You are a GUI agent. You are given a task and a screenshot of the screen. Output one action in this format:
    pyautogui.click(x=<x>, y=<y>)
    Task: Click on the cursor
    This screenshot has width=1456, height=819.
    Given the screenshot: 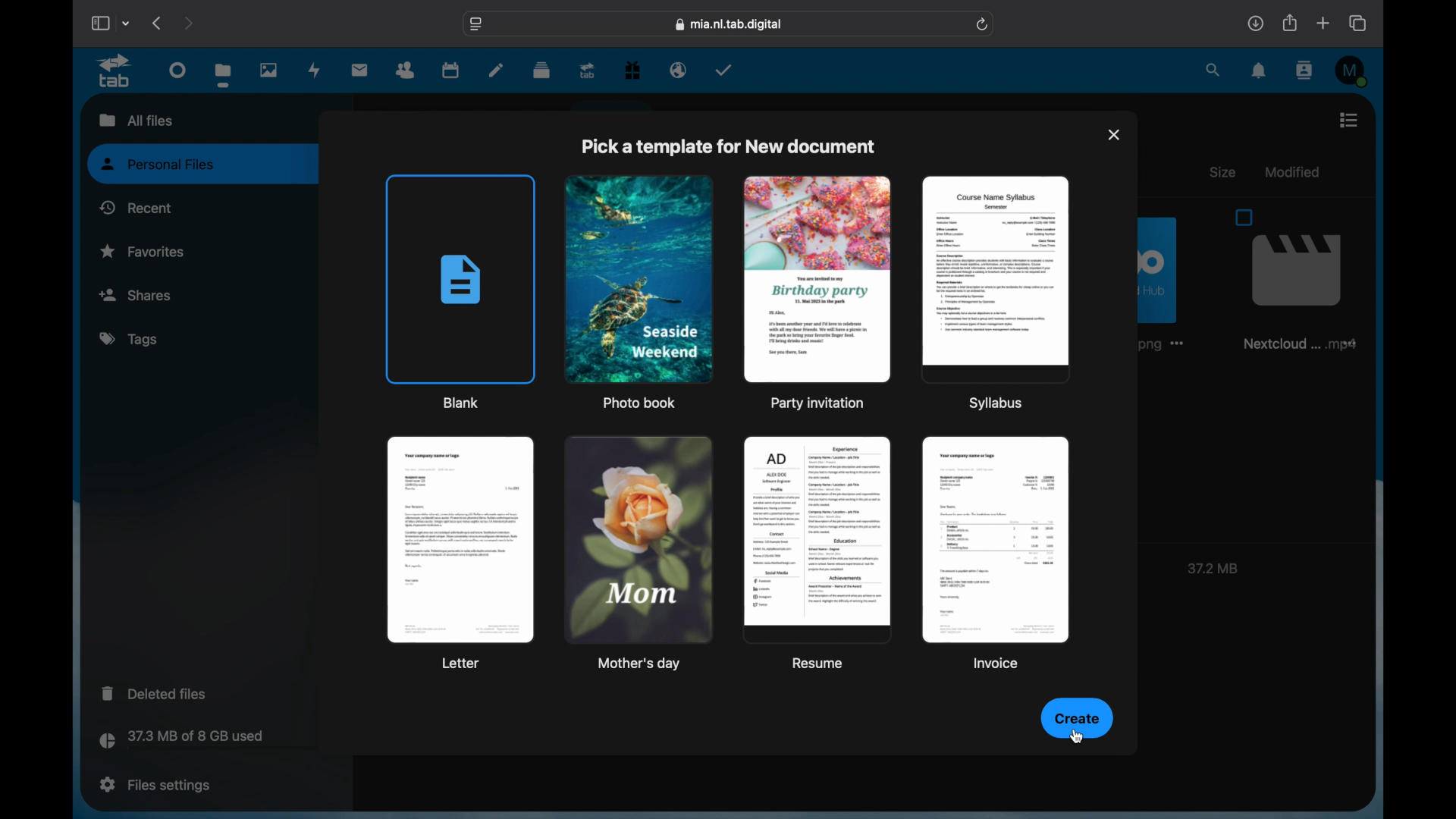 What is the action you would take?
    pyautogui.click(x=1078, y=739)
    